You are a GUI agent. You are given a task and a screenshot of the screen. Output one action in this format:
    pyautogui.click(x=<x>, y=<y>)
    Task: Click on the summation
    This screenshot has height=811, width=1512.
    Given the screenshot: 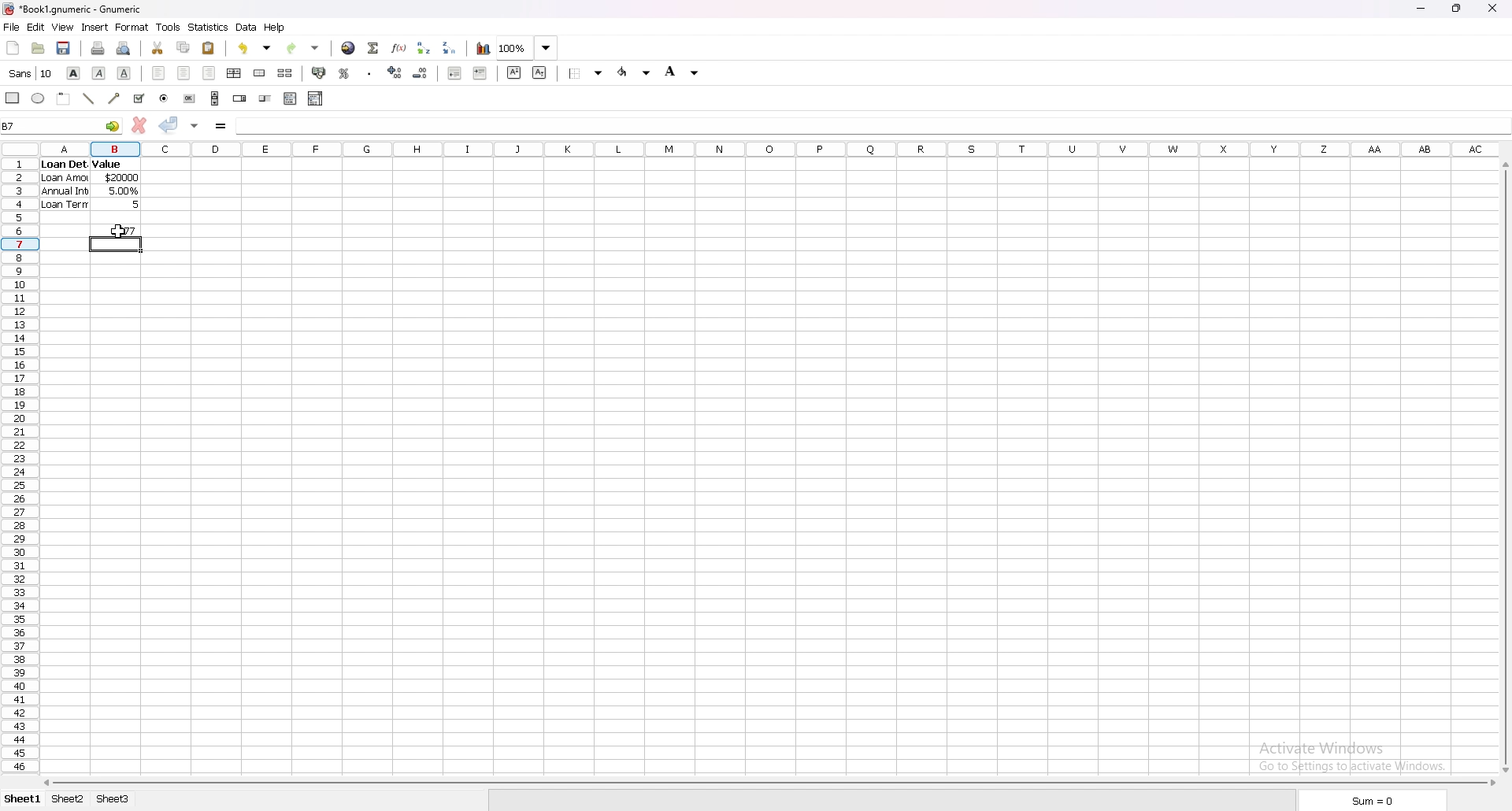 What is the action you would take?
    pyautogui.click(x=374, y=49)
    